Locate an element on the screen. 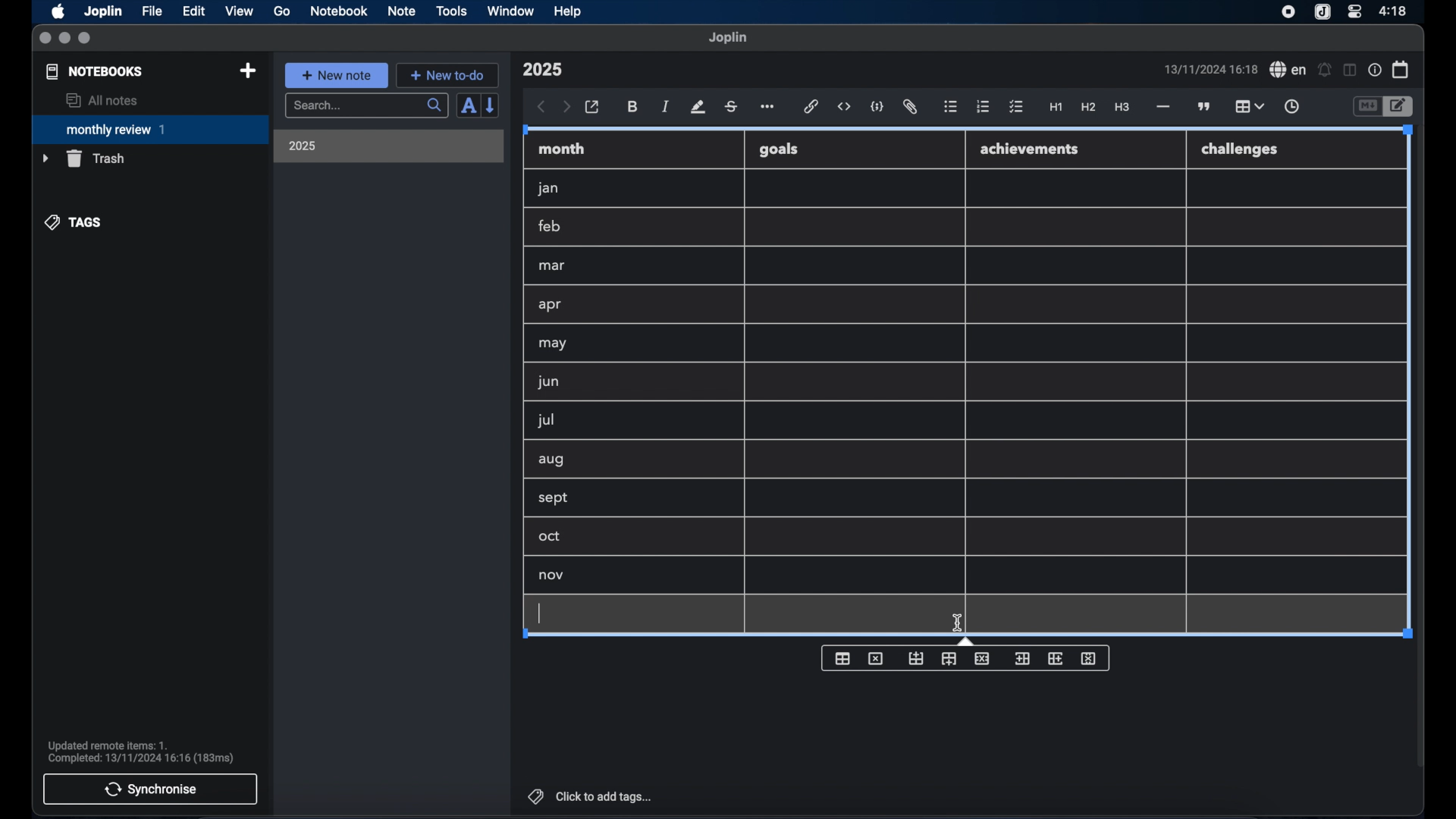 The image size is (1456, 819). back is located at coordinates (541, 107).